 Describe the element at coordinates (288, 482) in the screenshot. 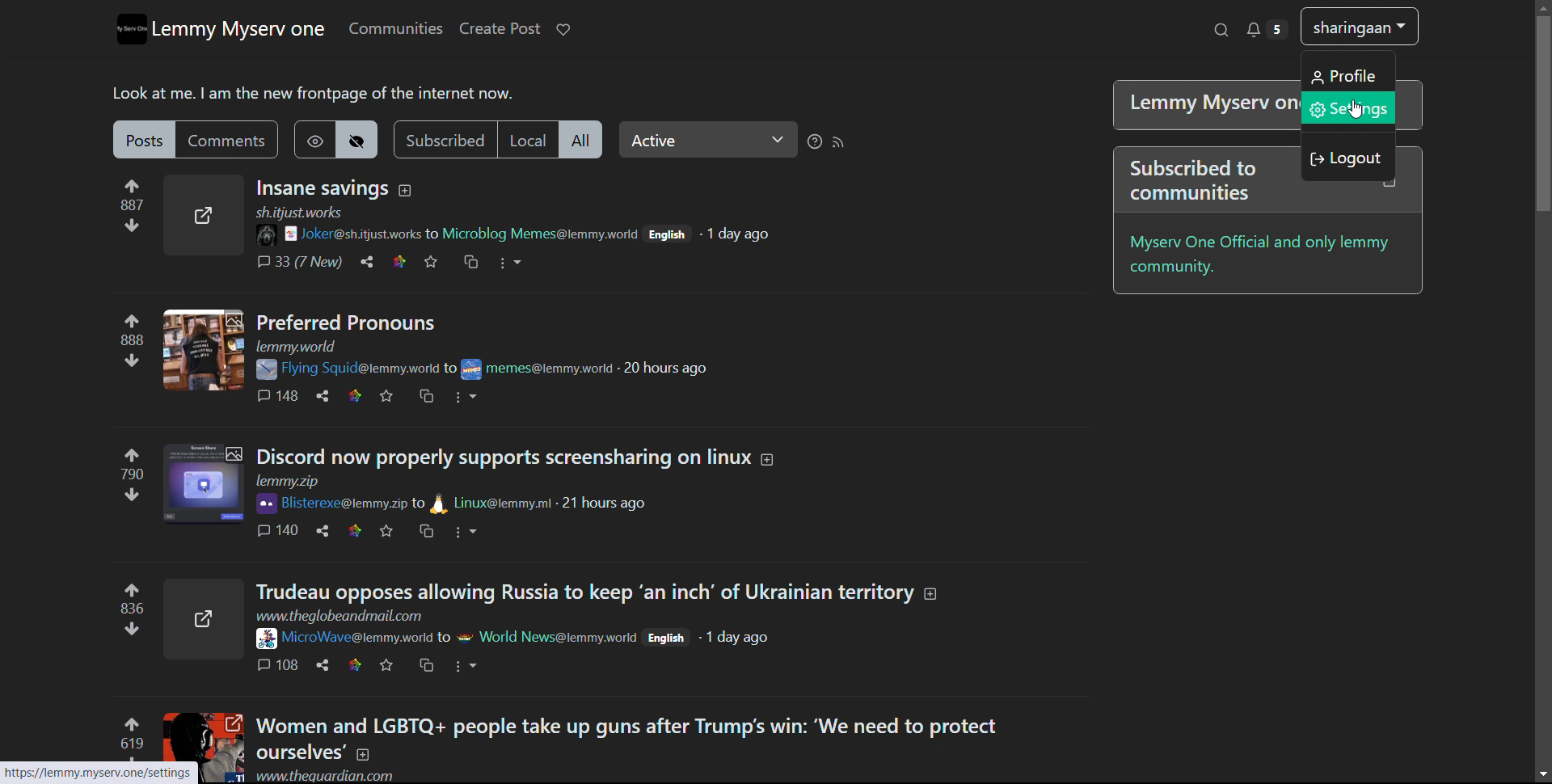

I see `url` at that location.